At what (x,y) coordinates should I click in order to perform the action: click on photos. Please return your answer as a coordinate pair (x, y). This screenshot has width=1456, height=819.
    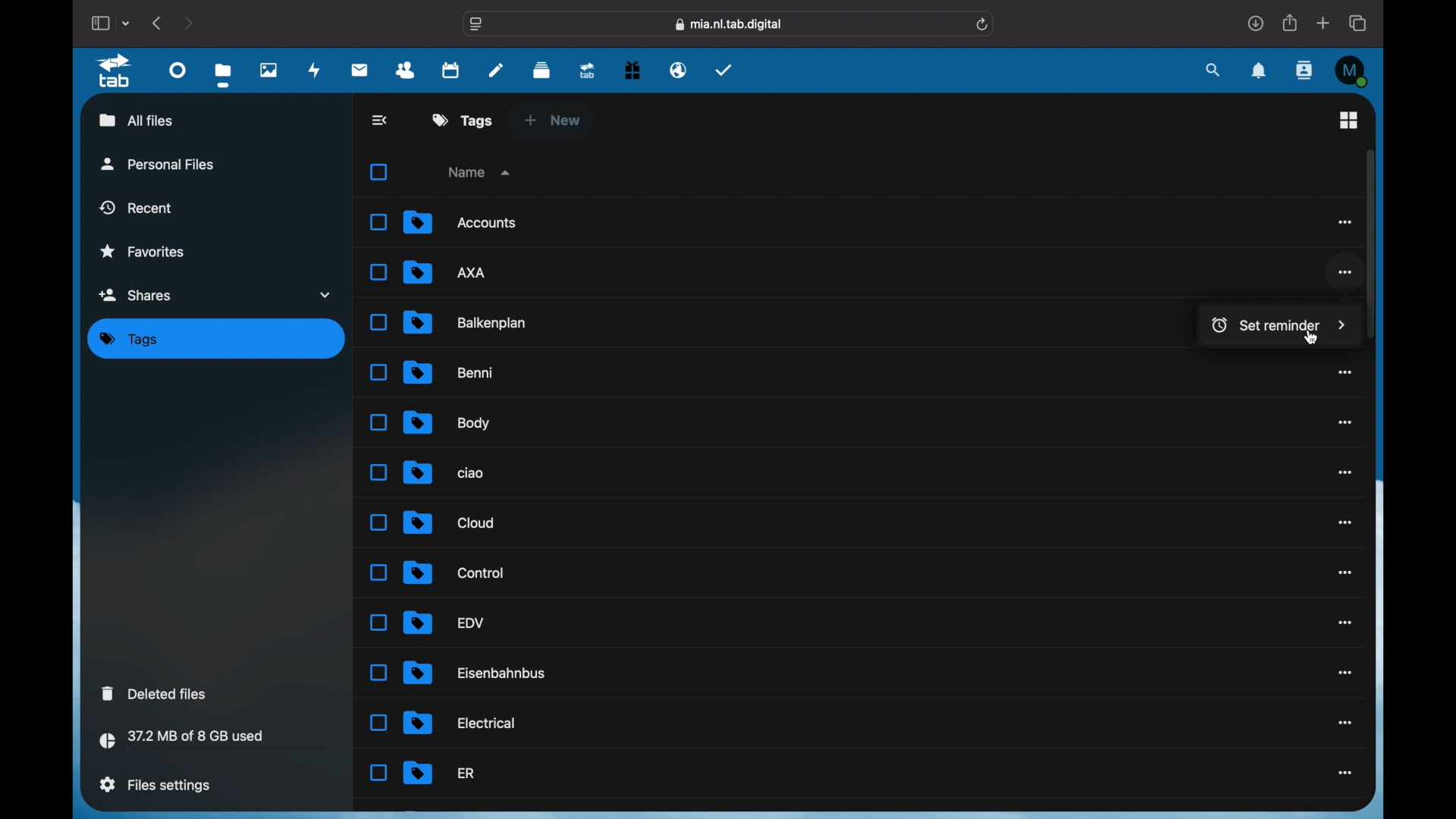
    Looking at the image, I should click on (269, 69).